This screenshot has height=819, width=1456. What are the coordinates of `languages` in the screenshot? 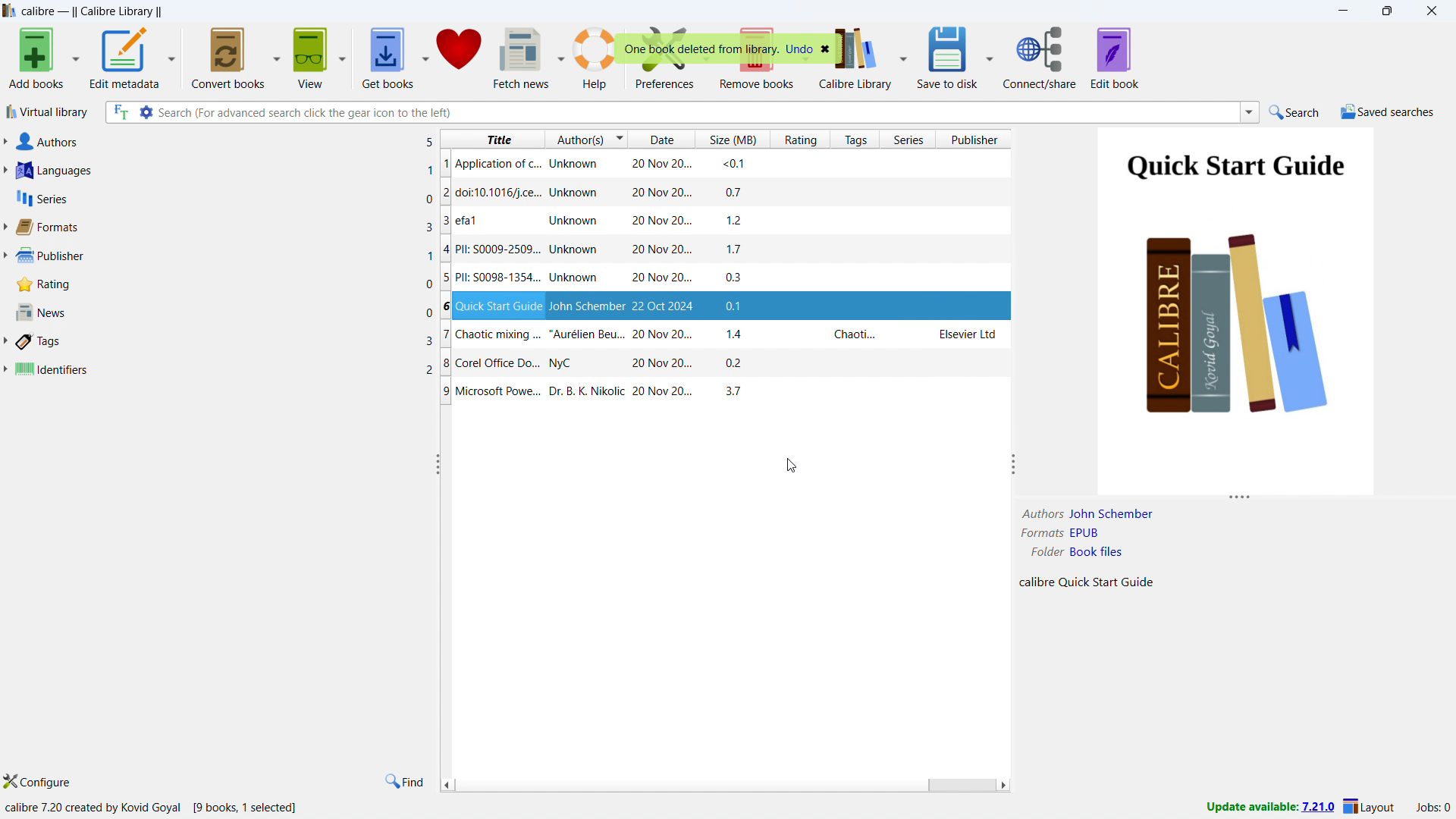 It's located at (221, 171).